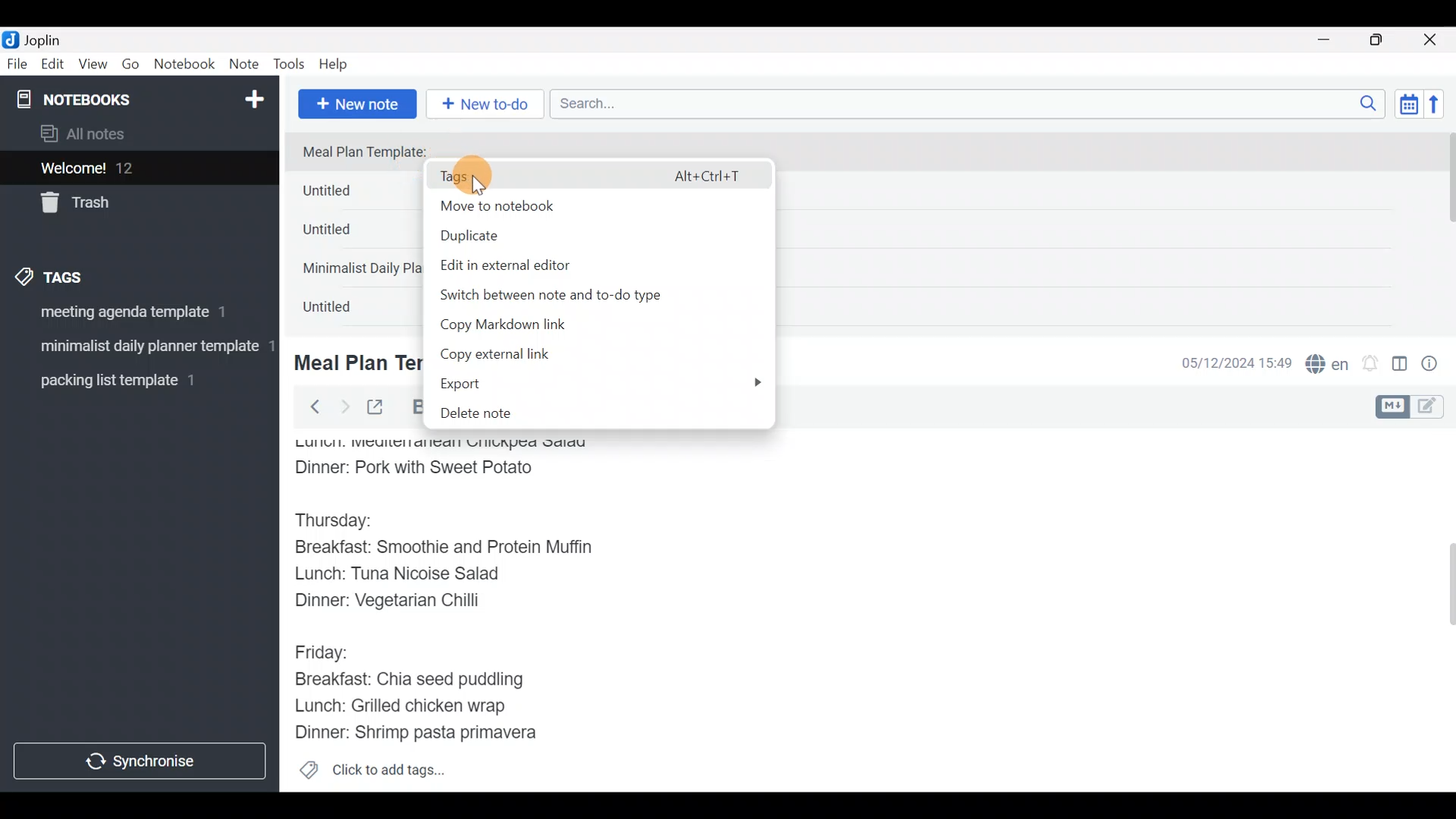  I want to click on Toggle external editing, so click(381, 408).